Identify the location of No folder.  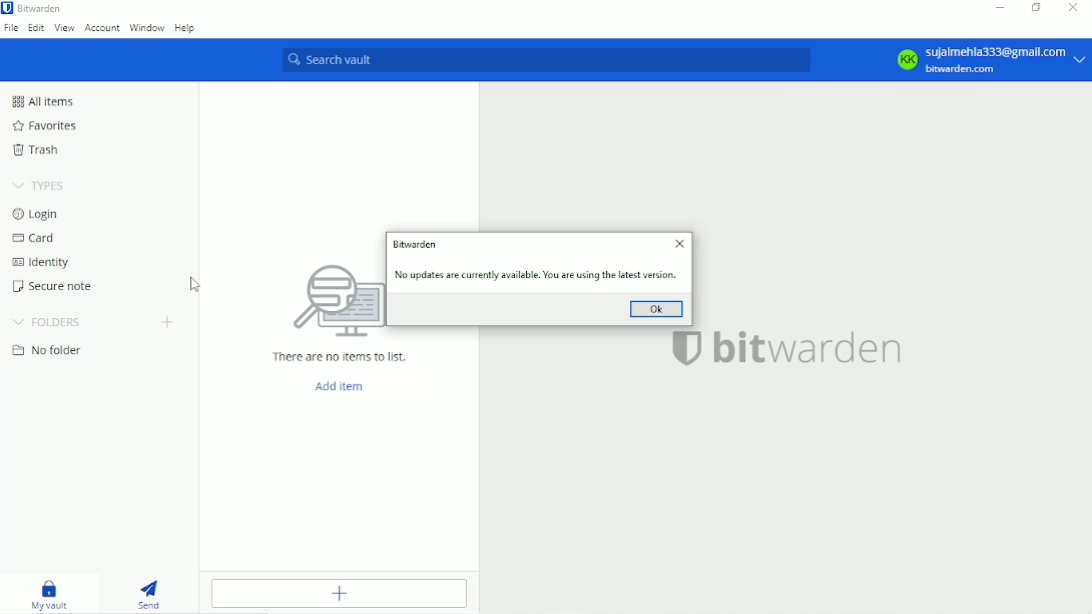
(49, 350).